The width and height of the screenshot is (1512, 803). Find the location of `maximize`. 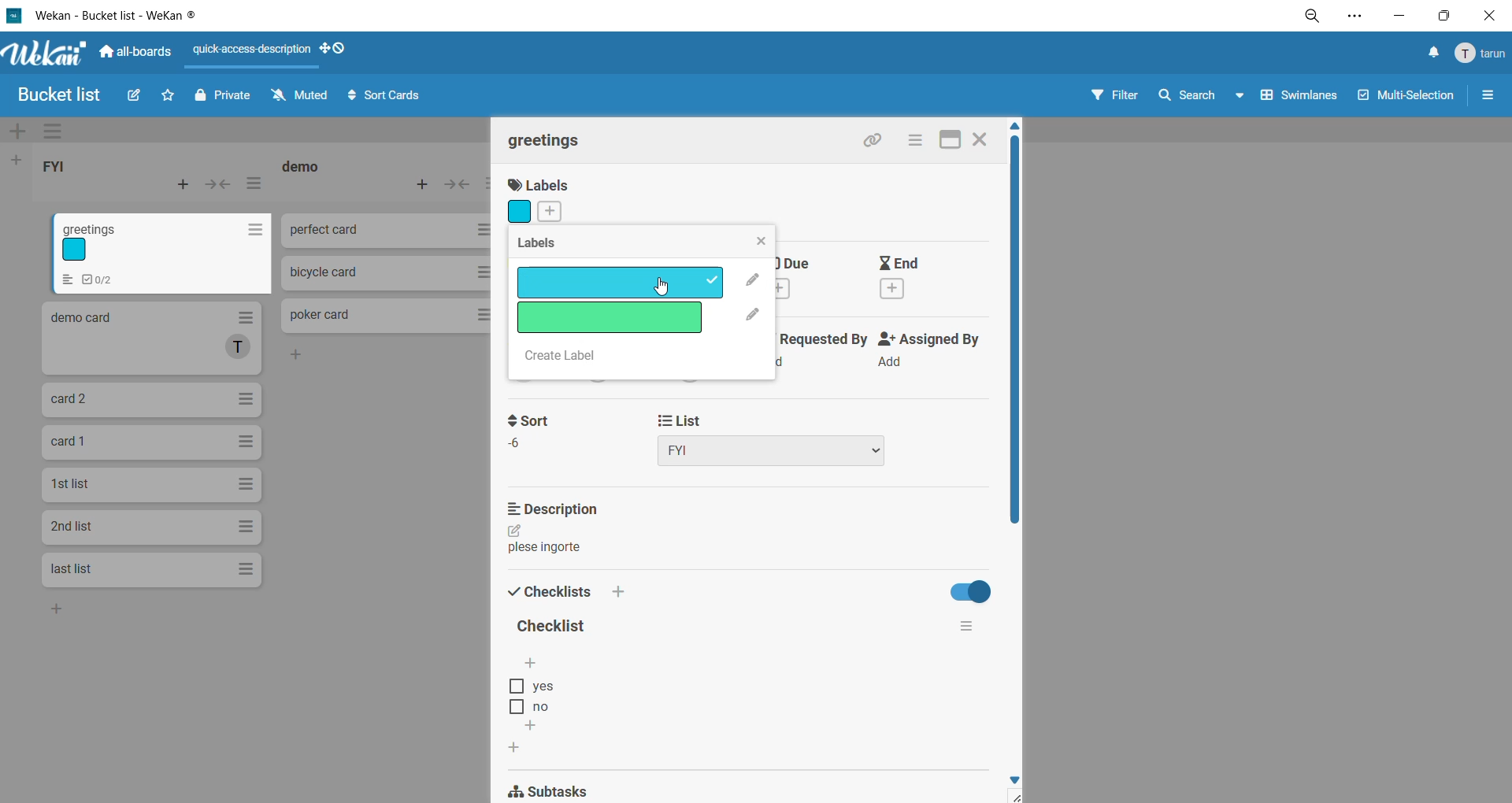

maximize is located at coordinates (1441, 16).